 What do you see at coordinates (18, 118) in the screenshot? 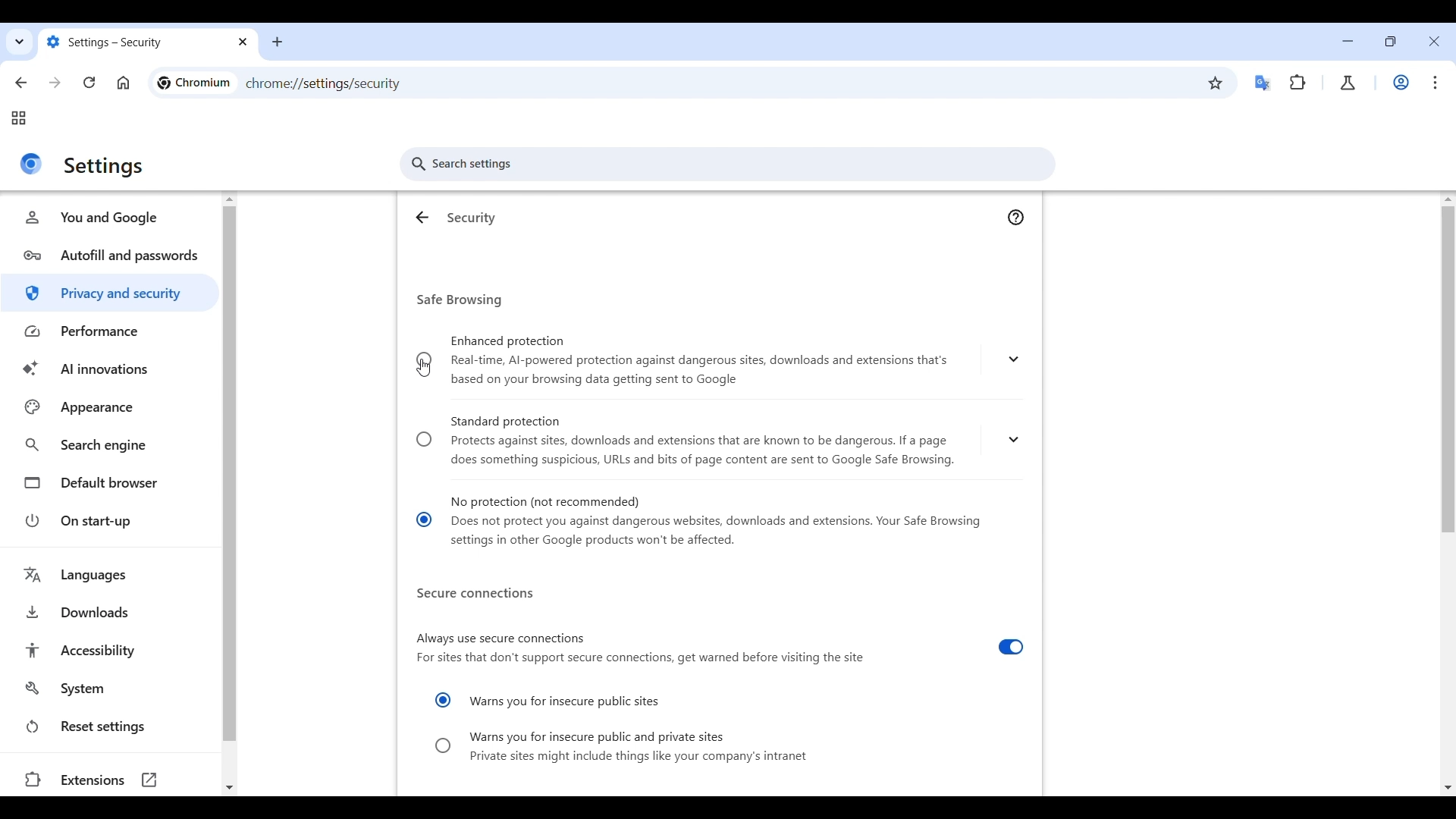
I see `Tab groups` at bounding box center [18, 118].